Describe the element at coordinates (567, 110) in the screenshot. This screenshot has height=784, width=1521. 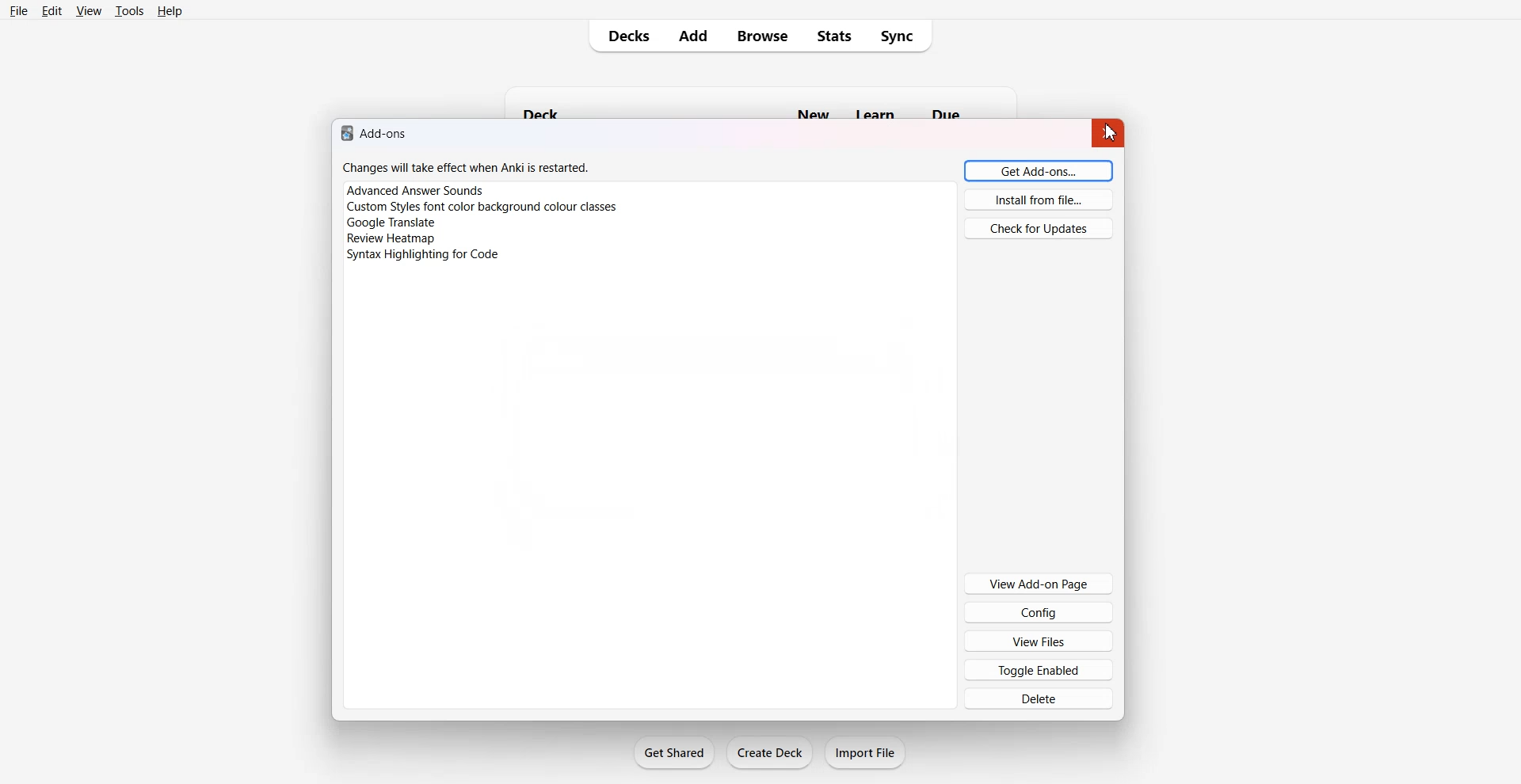
I see `deck` at that location.